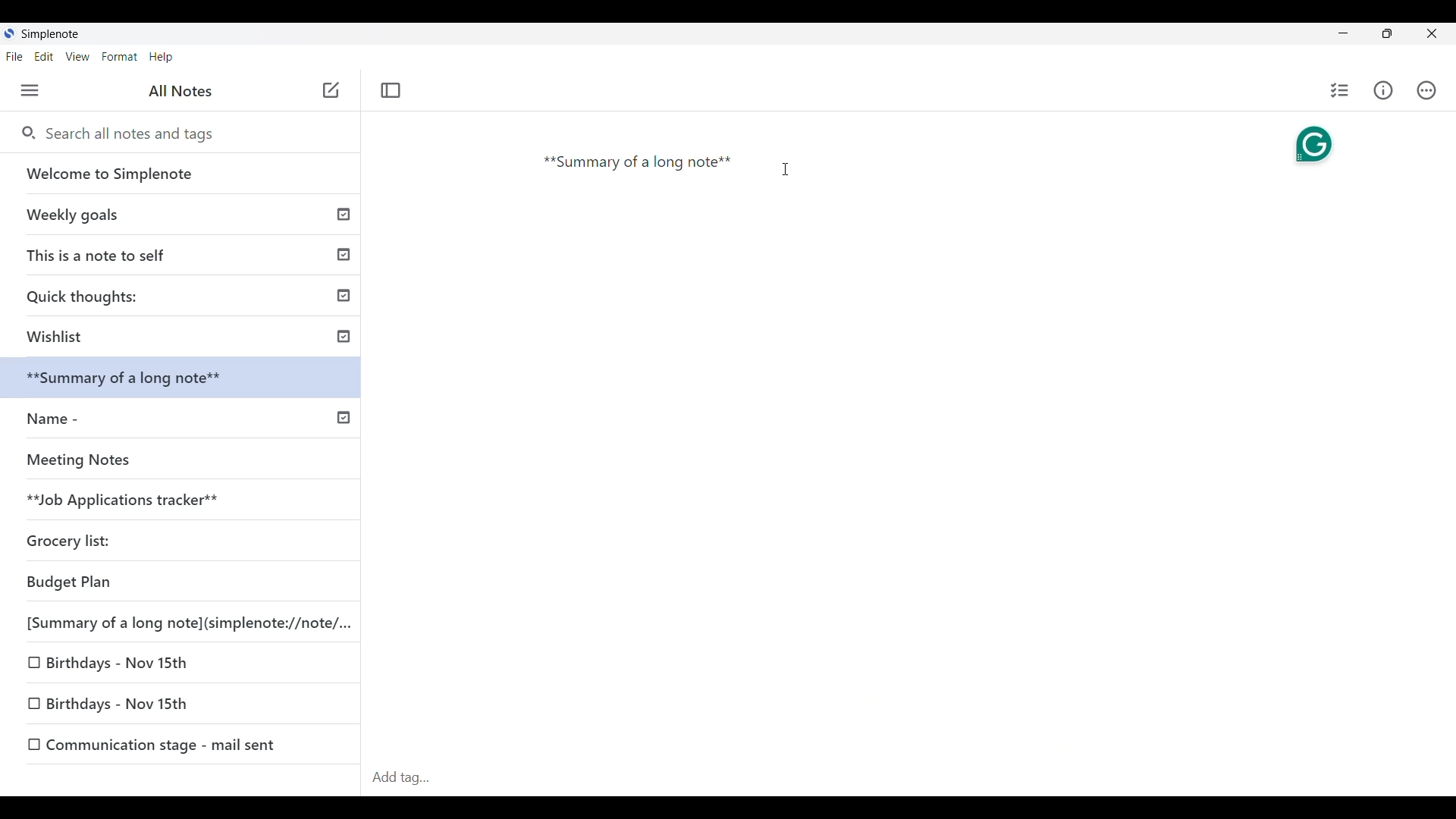 The image size is (1456, 819). Describe the element at coordinates (183, 416) in the screenshot. I see `Name` at that location.